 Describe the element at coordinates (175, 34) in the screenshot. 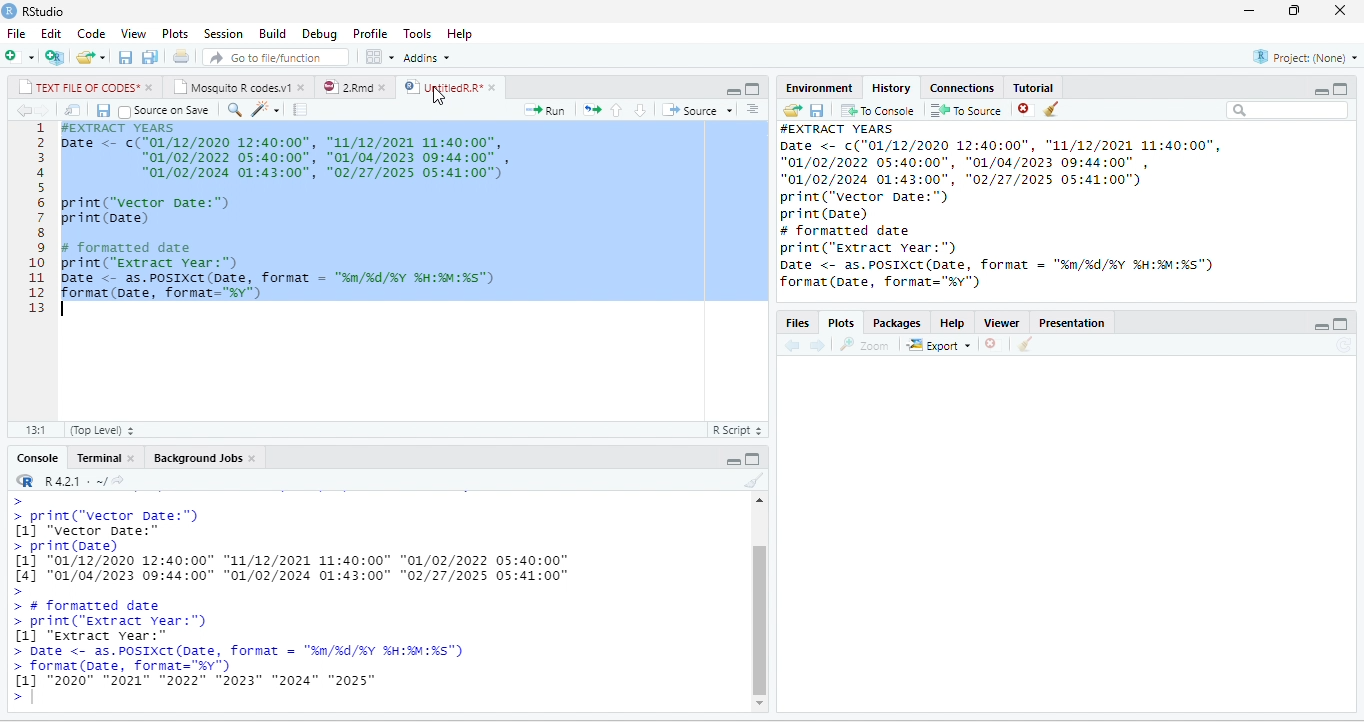

I see `Plots` at that location.